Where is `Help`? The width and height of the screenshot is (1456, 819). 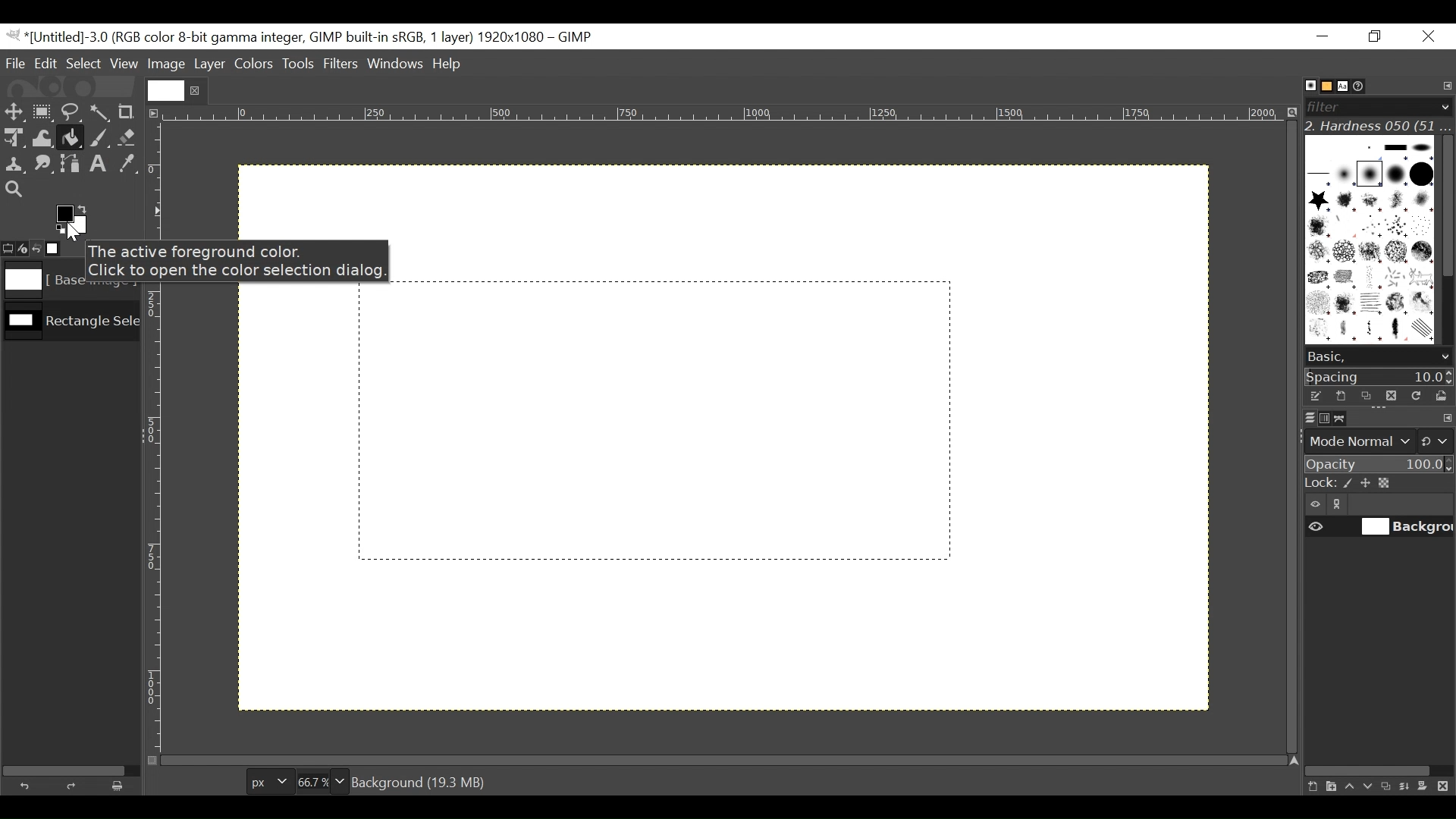 Help is located at coordinates (450, 65).